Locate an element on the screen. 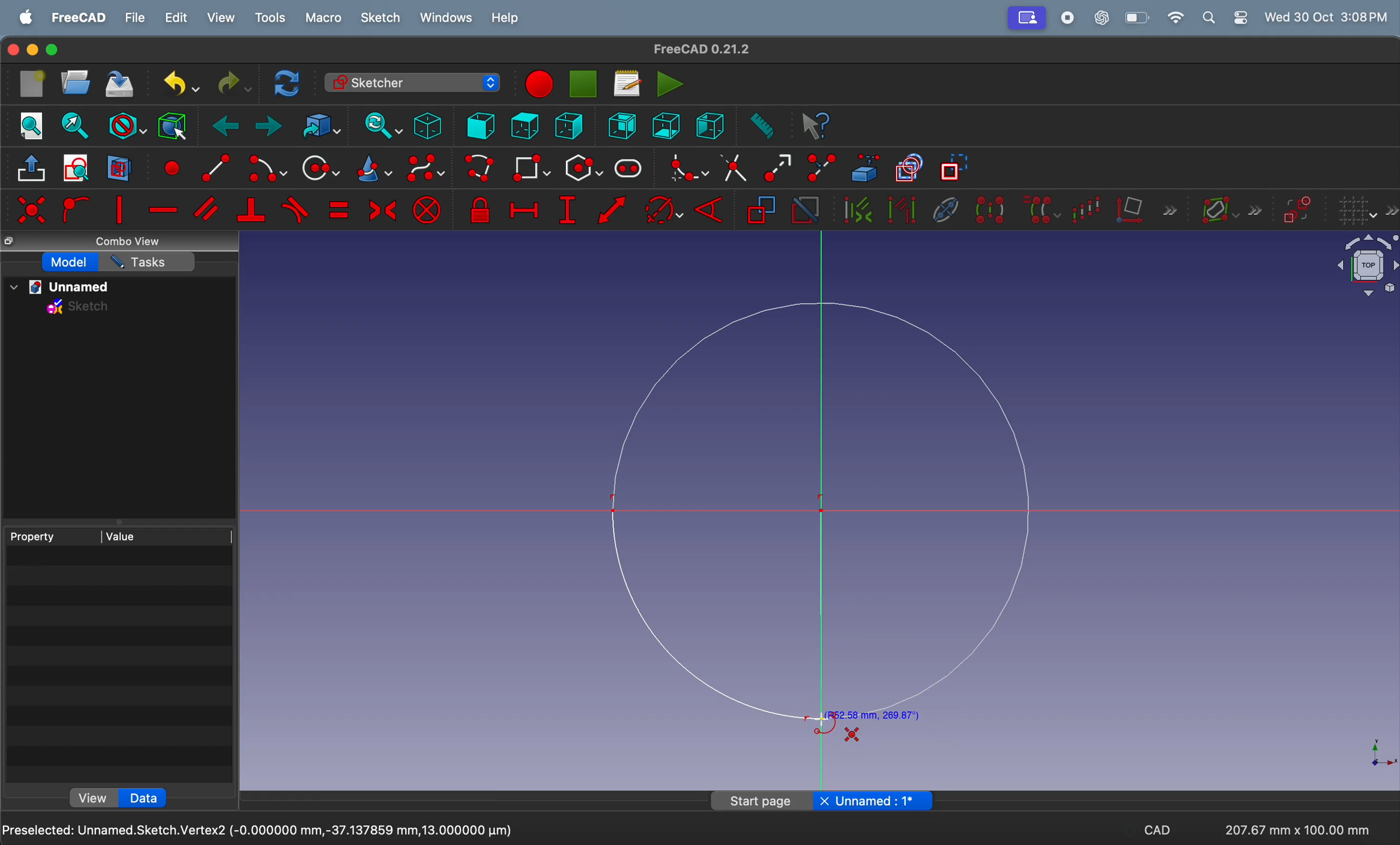 The width and height of the screenshot is (1400, 845). combo view is located at coordinates (132, 242).